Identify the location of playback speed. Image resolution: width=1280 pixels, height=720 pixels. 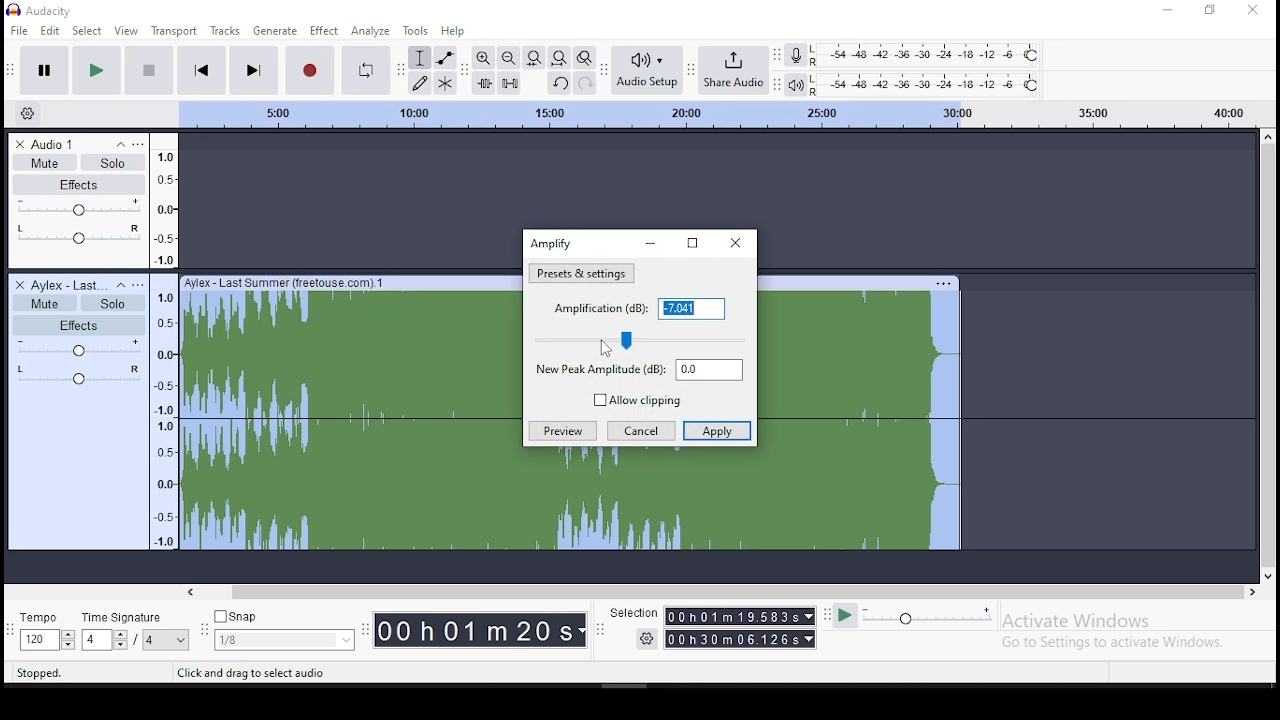
(920, 617).